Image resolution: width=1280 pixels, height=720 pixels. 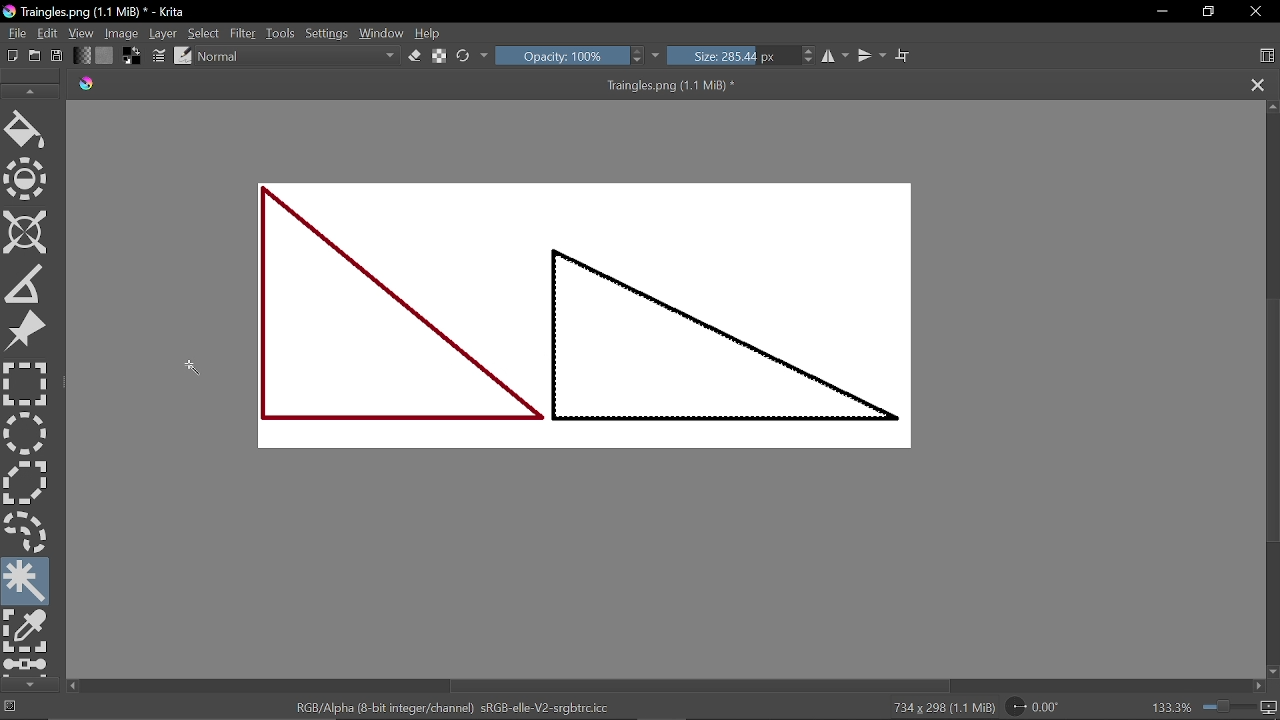 I want to click on Close, so click(x=1257, y=11).